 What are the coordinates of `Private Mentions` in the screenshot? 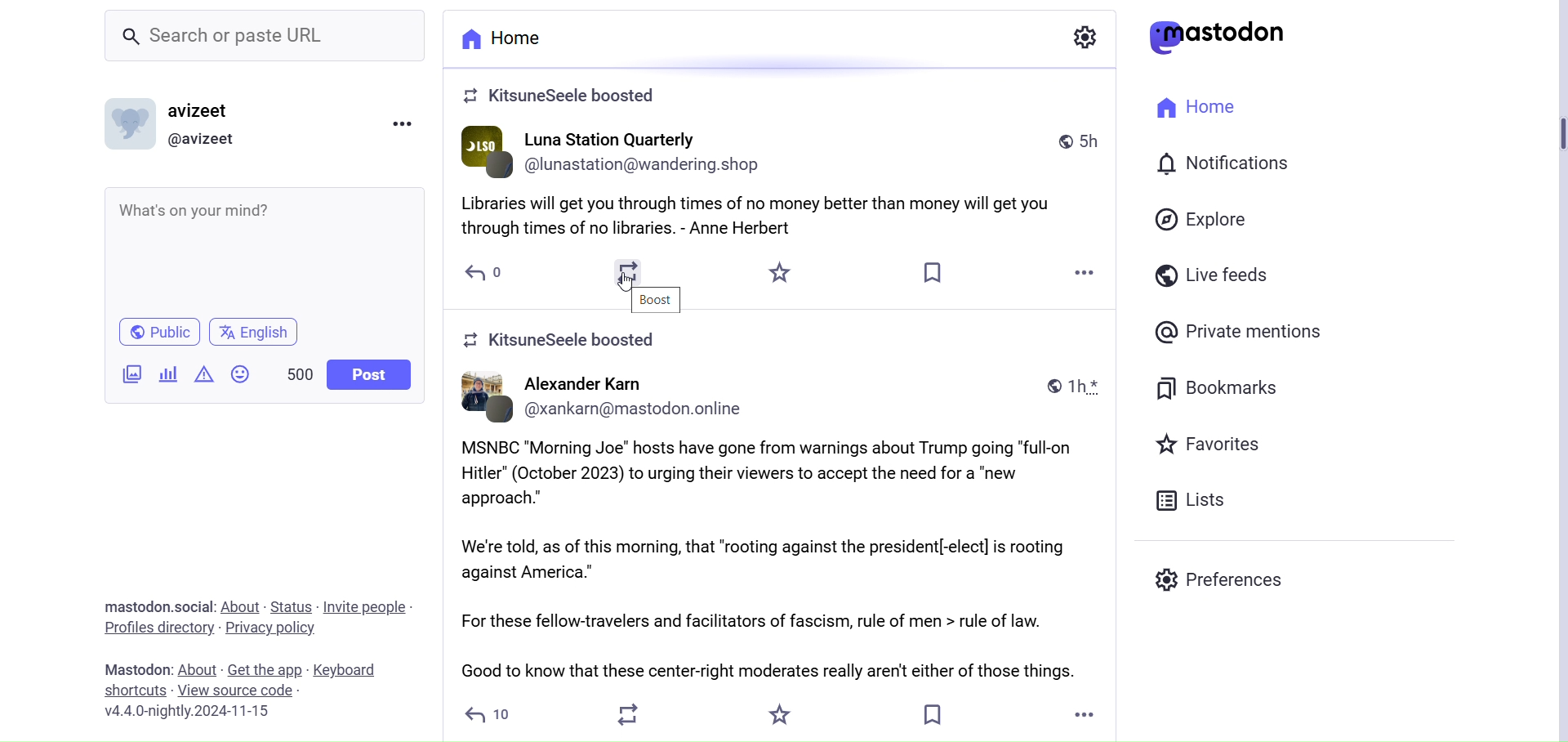 It's located at (1242, 331).